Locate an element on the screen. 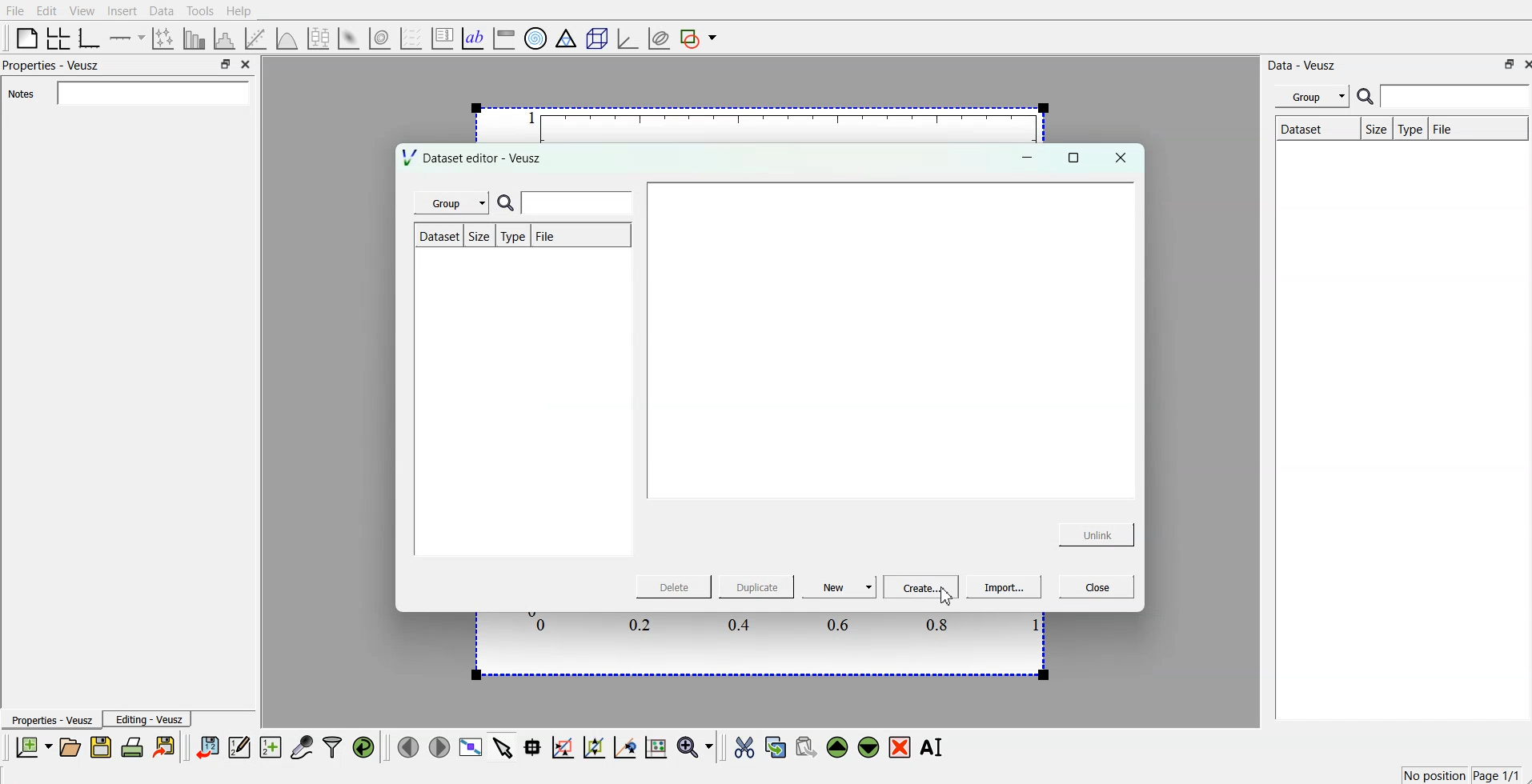 This screenshot has height=784, width=1532. plot 2d datasets as image is located at coordinates (350, 36).